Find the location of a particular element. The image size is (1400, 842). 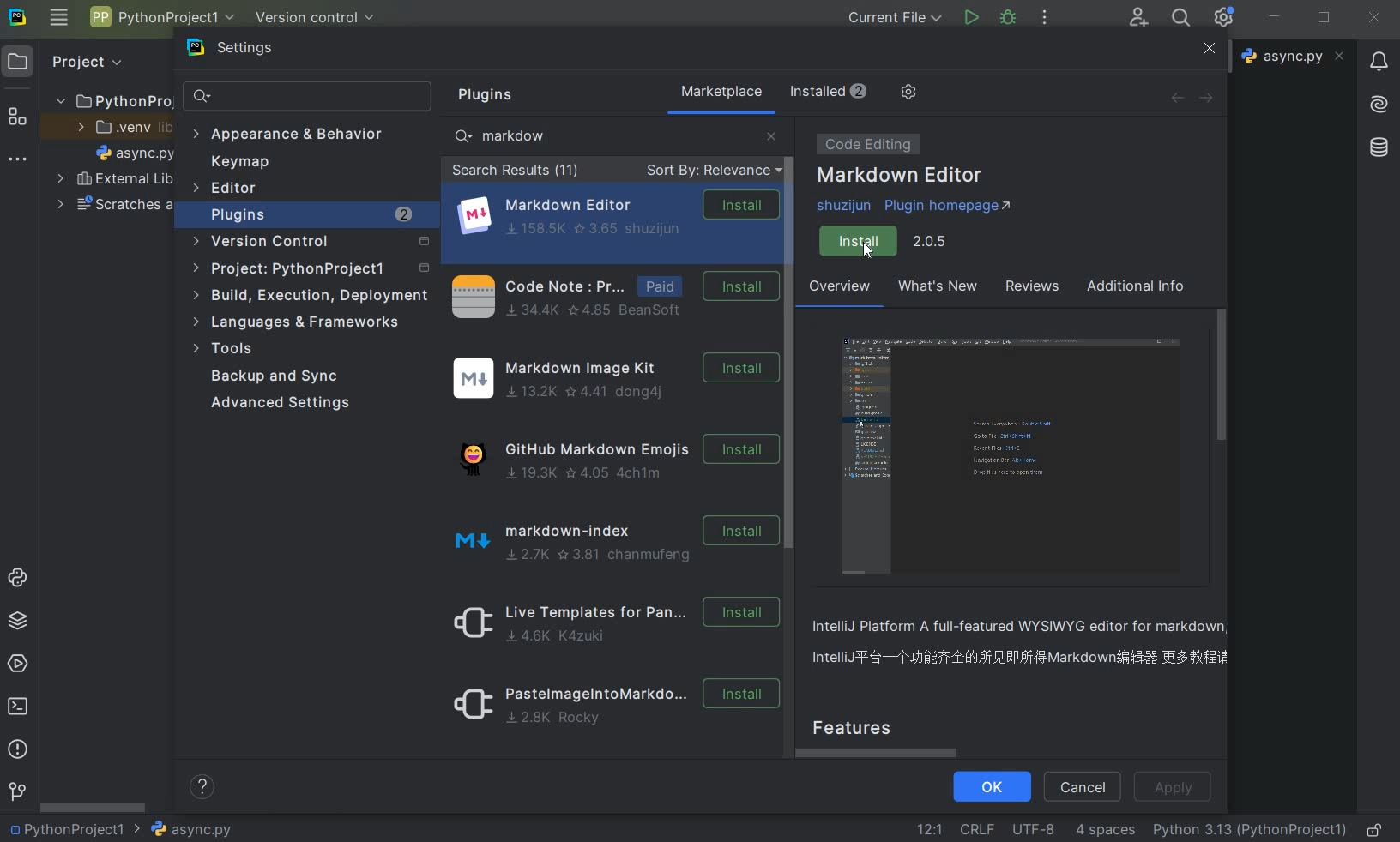

forward is located at coordinates (1211, 98).